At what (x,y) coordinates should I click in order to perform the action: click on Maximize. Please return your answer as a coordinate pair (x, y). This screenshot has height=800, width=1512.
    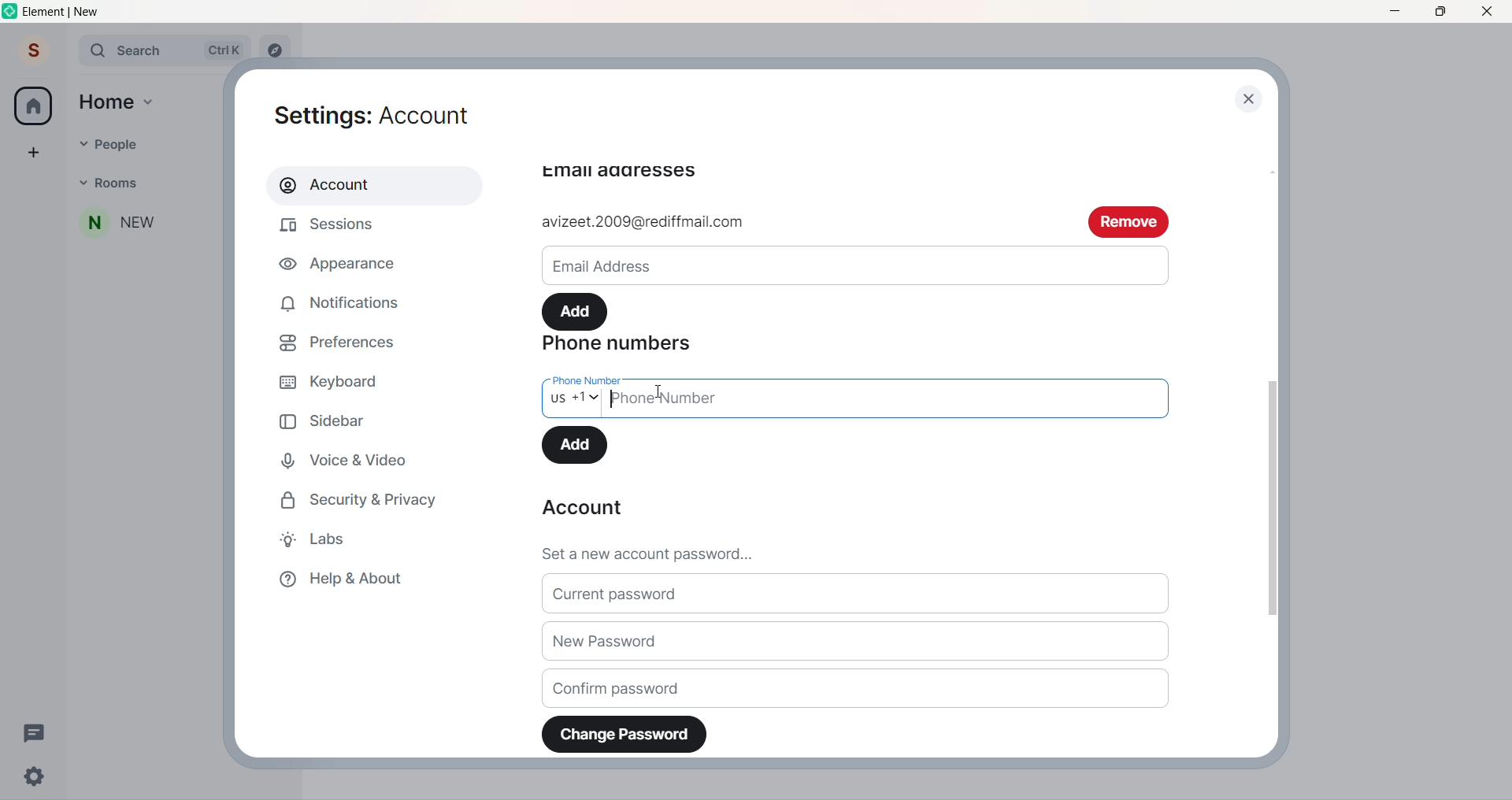
    Looking at the image, I should click on (1437, 13).